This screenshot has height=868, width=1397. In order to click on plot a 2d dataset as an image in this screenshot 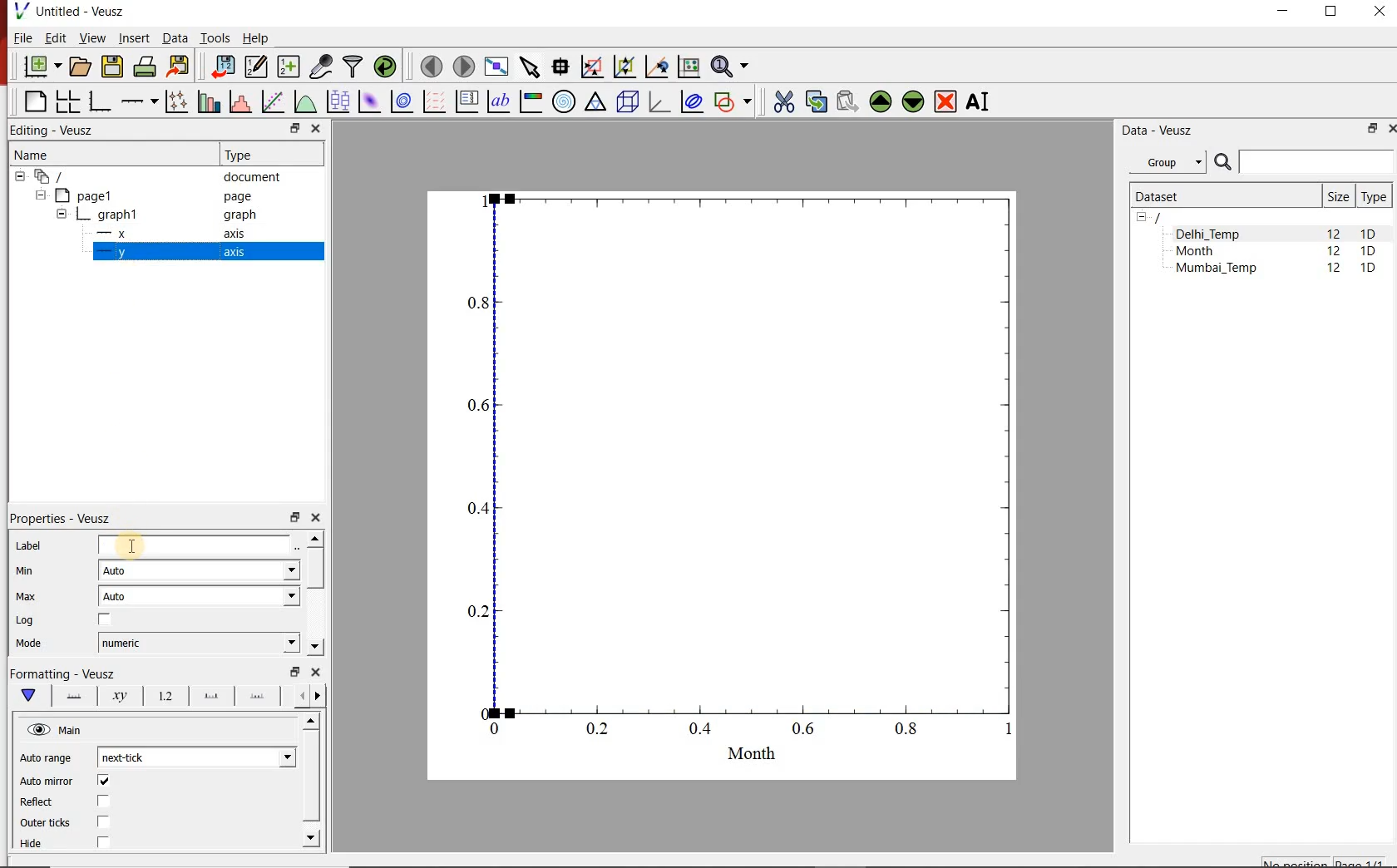, I will do `click(371, 101)`.